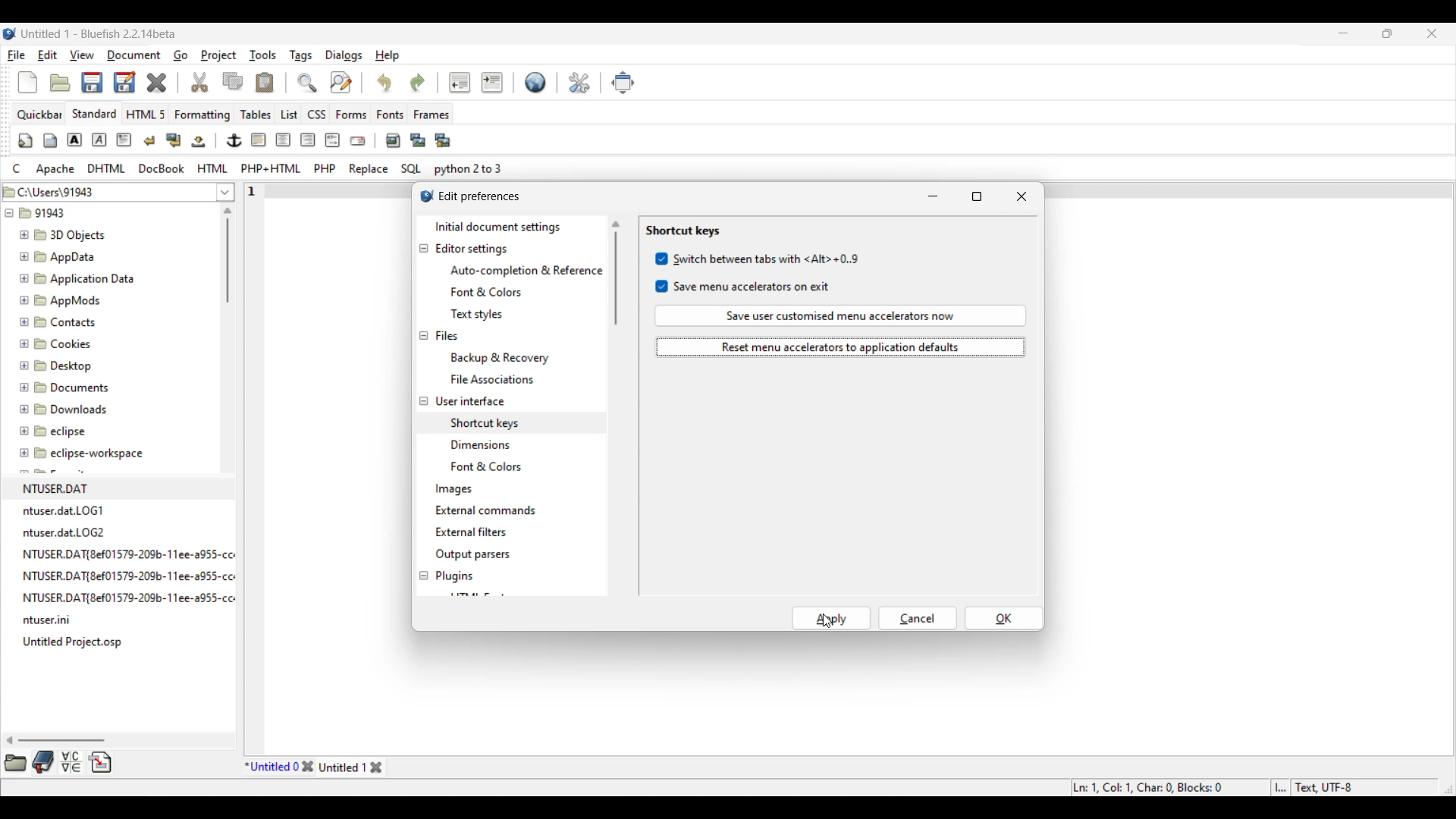 Image resolution: width=1456 pixels, height=819 pixels. What do you see at coordinates (263, 55) in the screenshot?
I see `Tools menu` at bounding box center [263, 55].